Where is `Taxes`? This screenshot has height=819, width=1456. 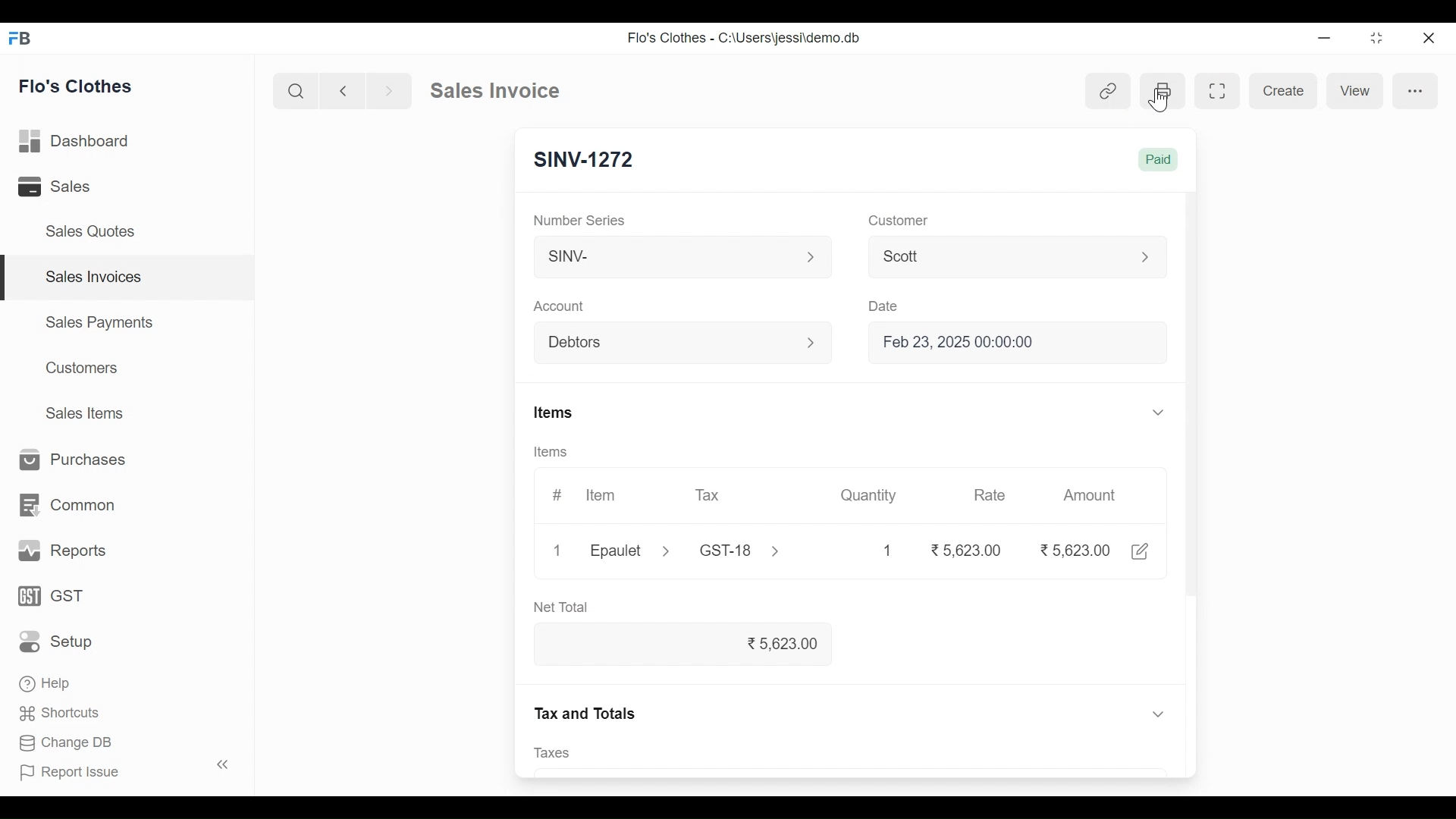
Taxes is located at coordinates (557, 752).